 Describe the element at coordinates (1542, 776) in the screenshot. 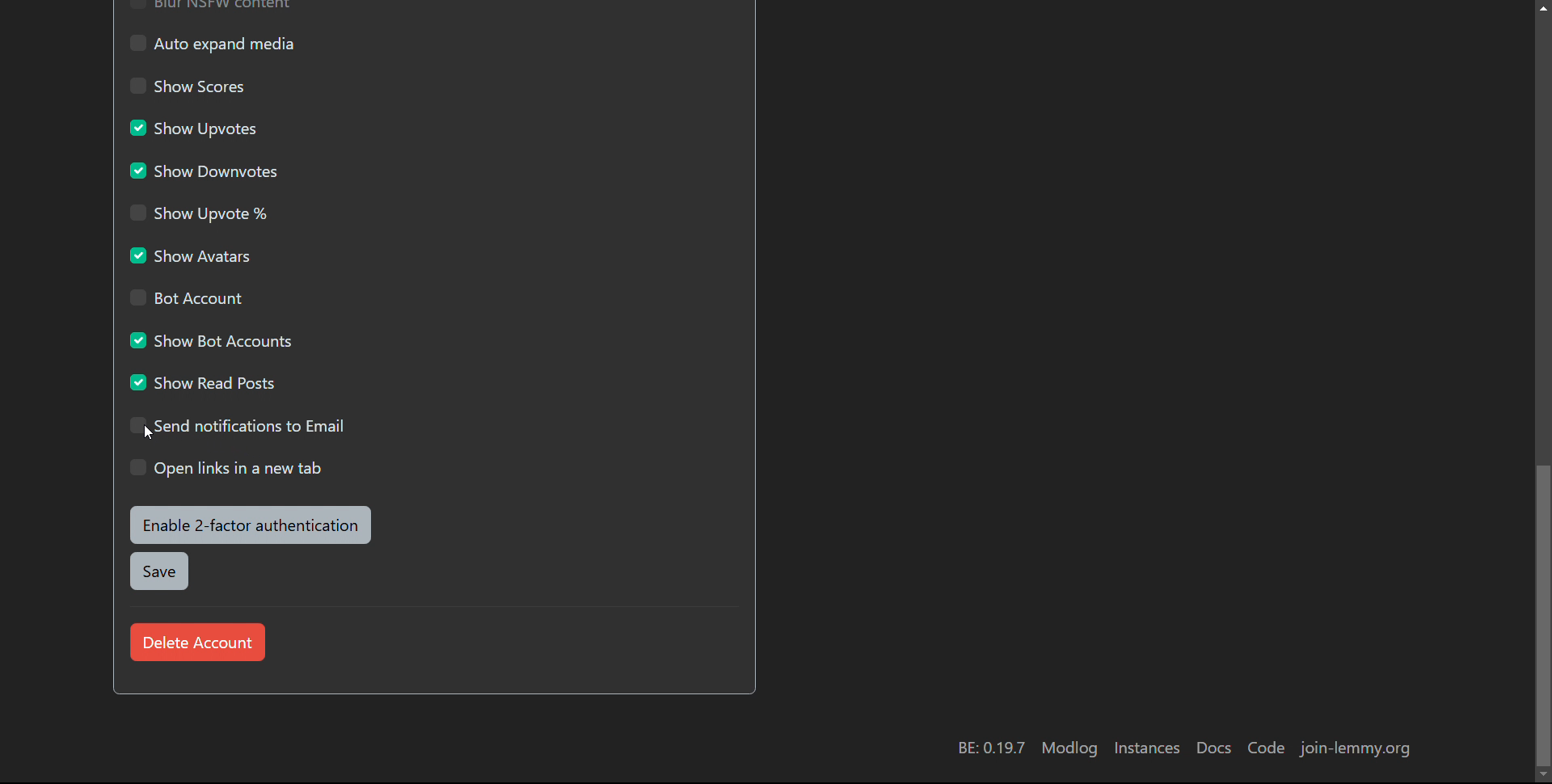

I see `Scroll down` at that location.